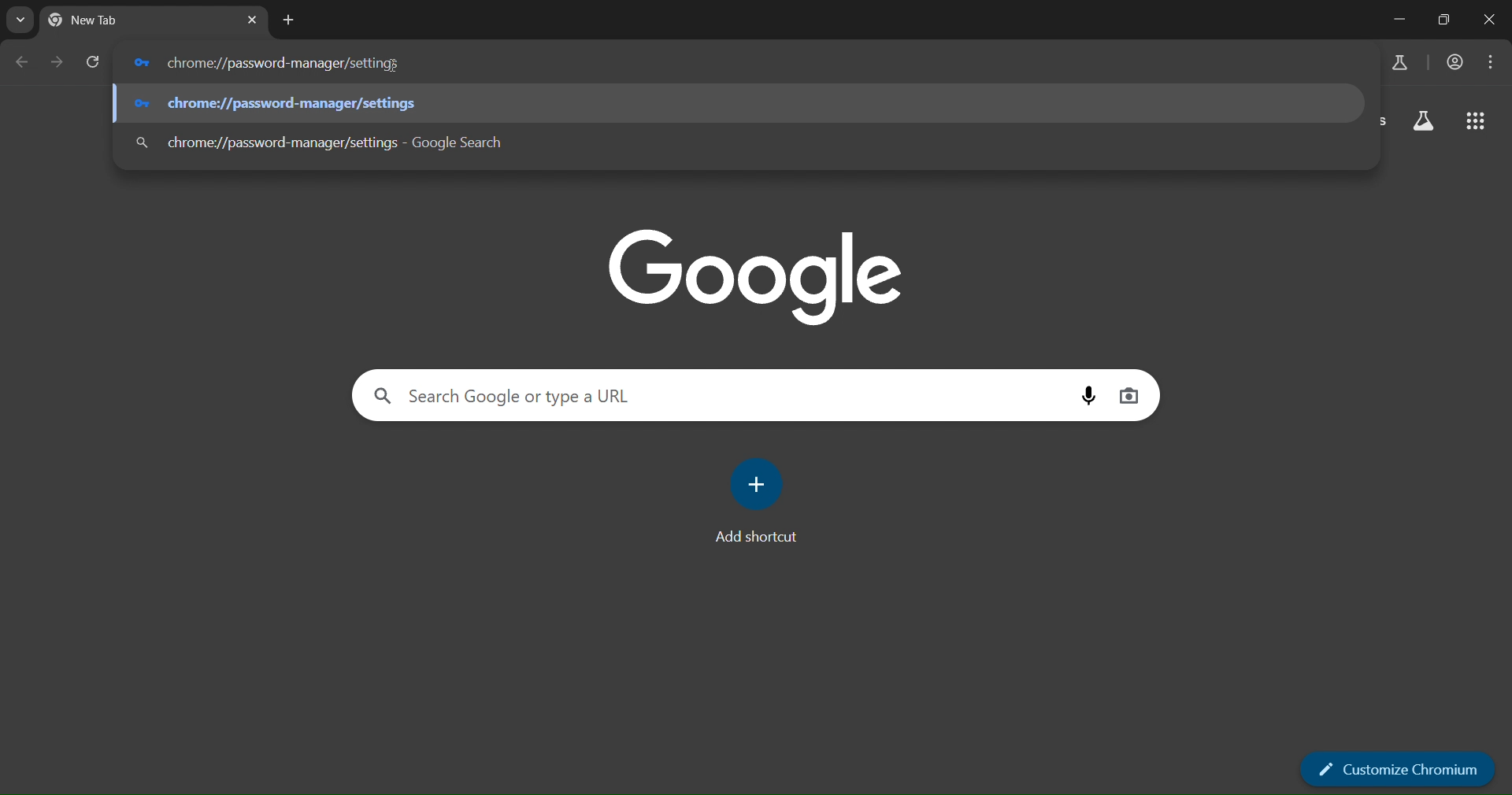  I want to click on minimize, so click(1392, 20).